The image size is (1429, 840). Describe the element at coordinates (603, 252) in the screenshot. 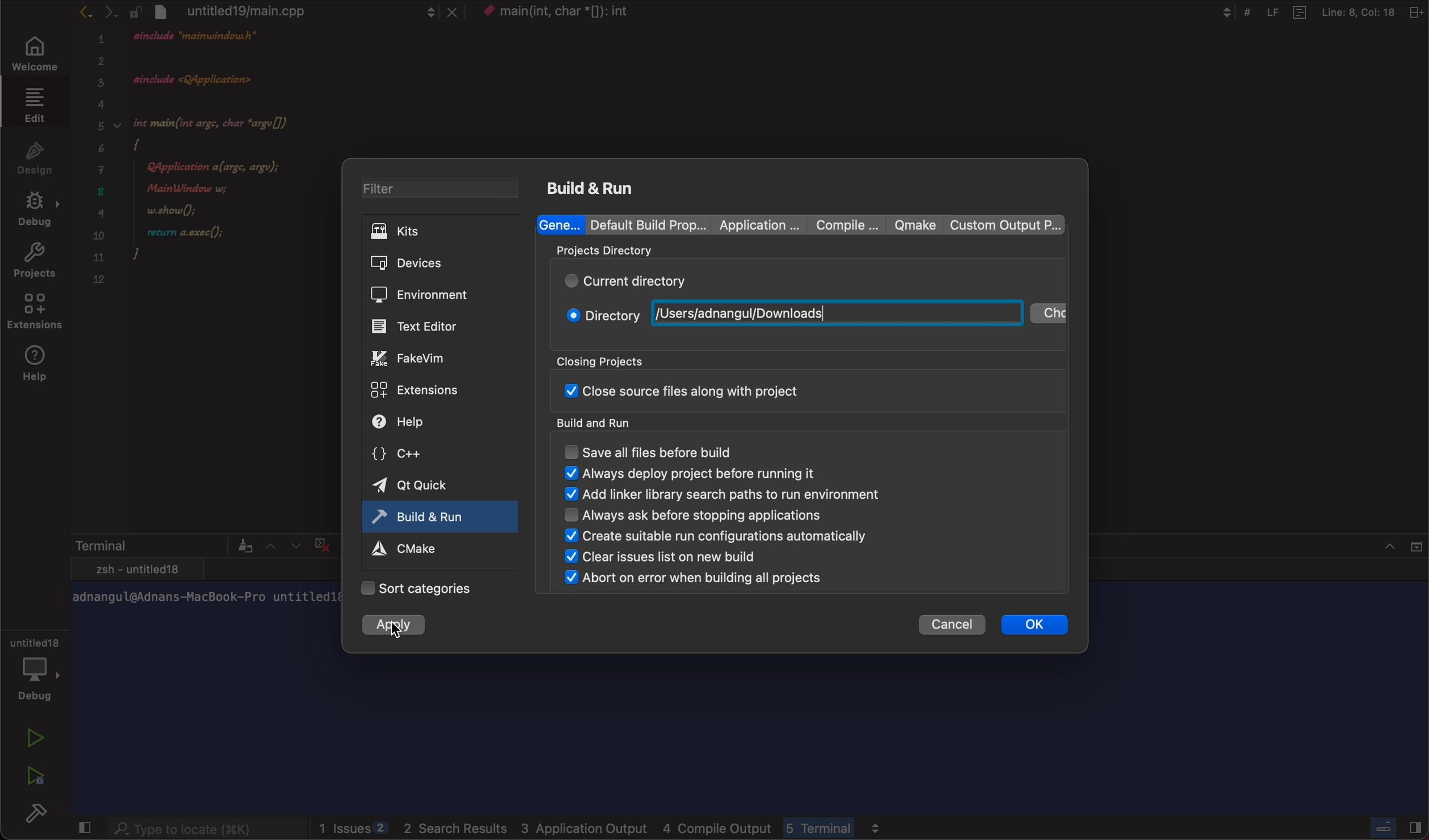

I see `projects directory` at that location.